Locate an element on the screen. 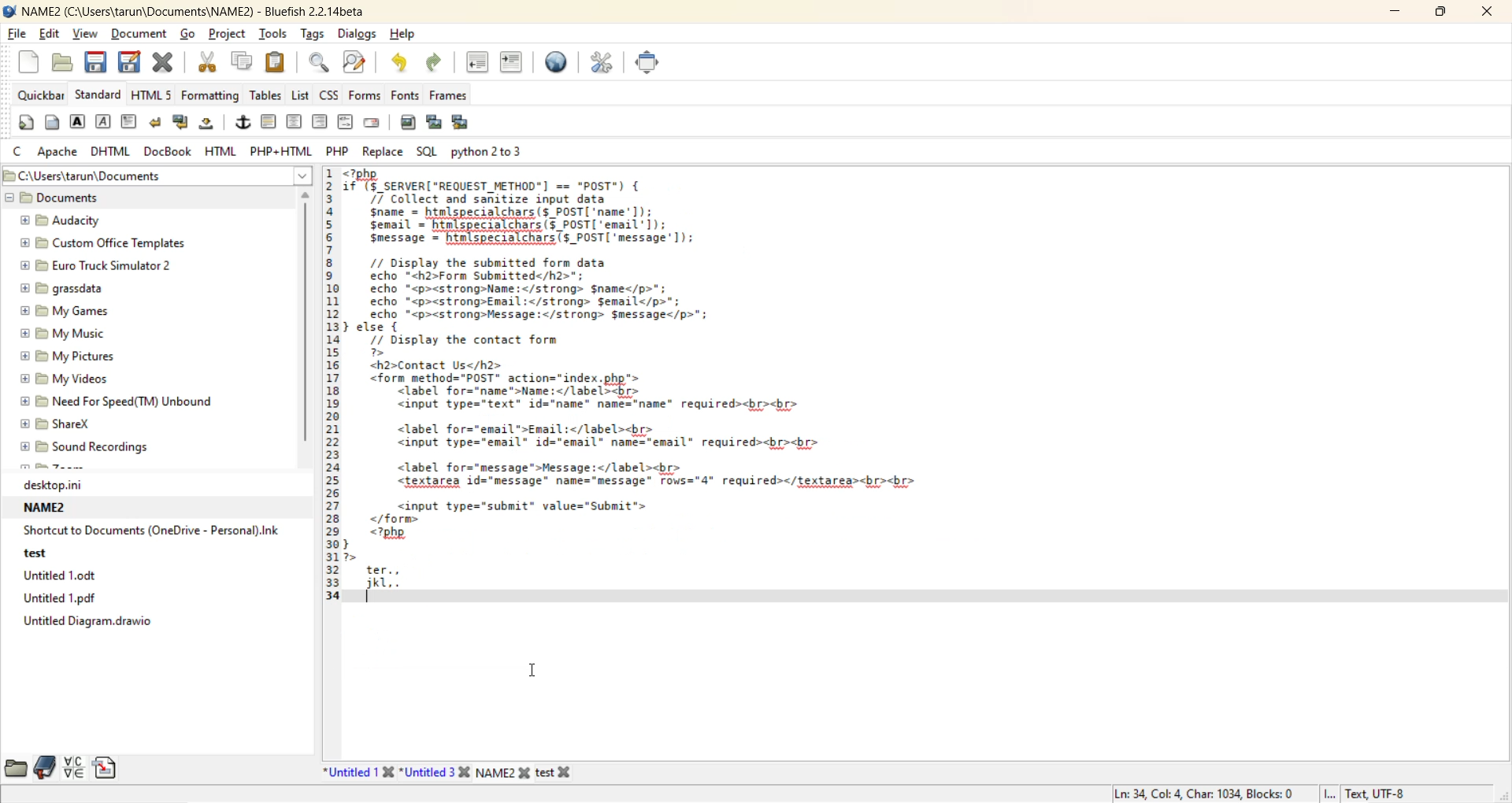  quickstart is located at coordinates (28, 124).